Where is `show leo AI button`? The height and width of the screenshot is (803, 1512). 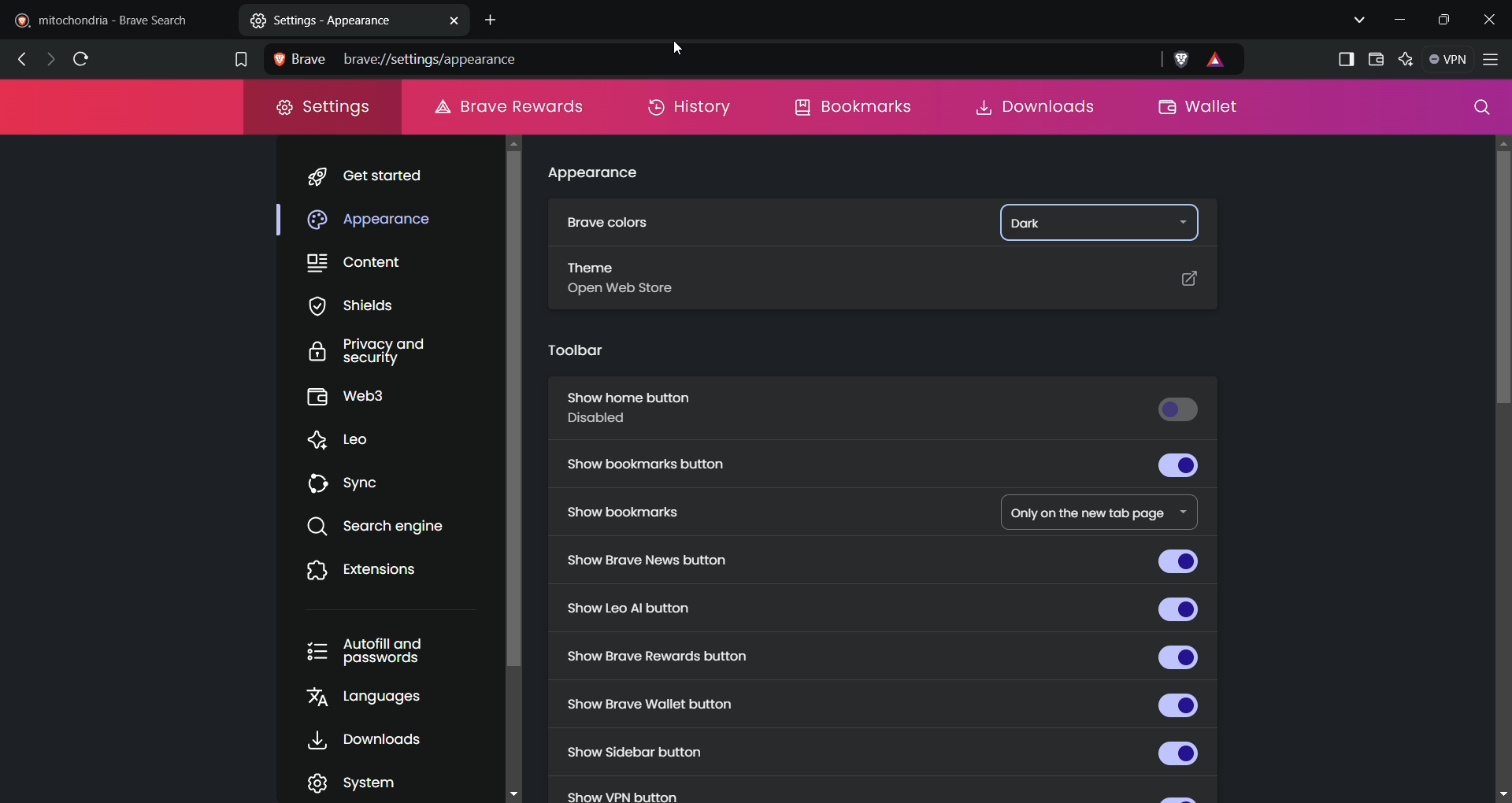
show leo AI button is located at coordinates (887, 608).